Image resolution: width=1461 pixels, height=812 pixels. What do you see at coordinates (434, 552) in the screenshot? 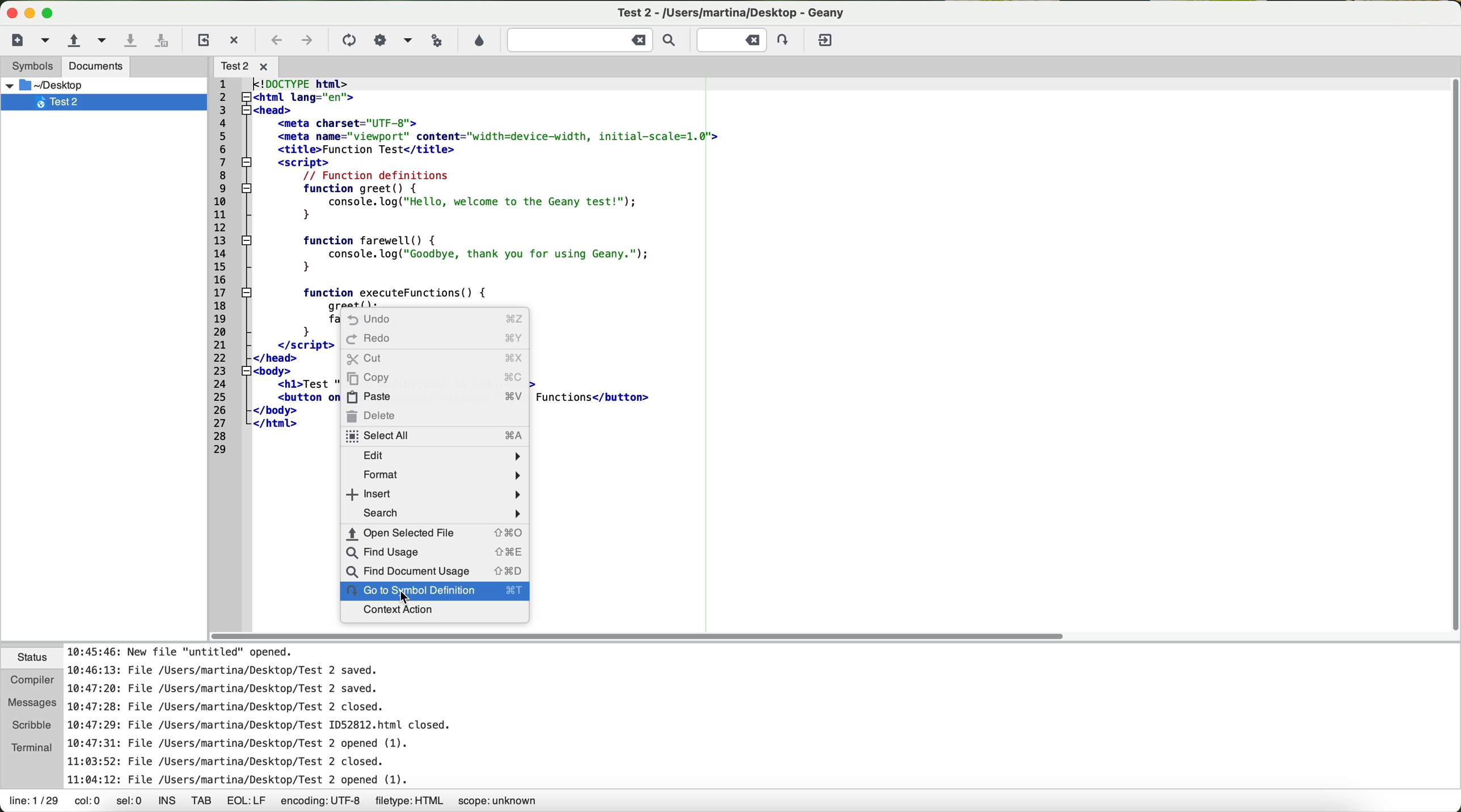
I see `find usage` at bounding box center [434, 552].